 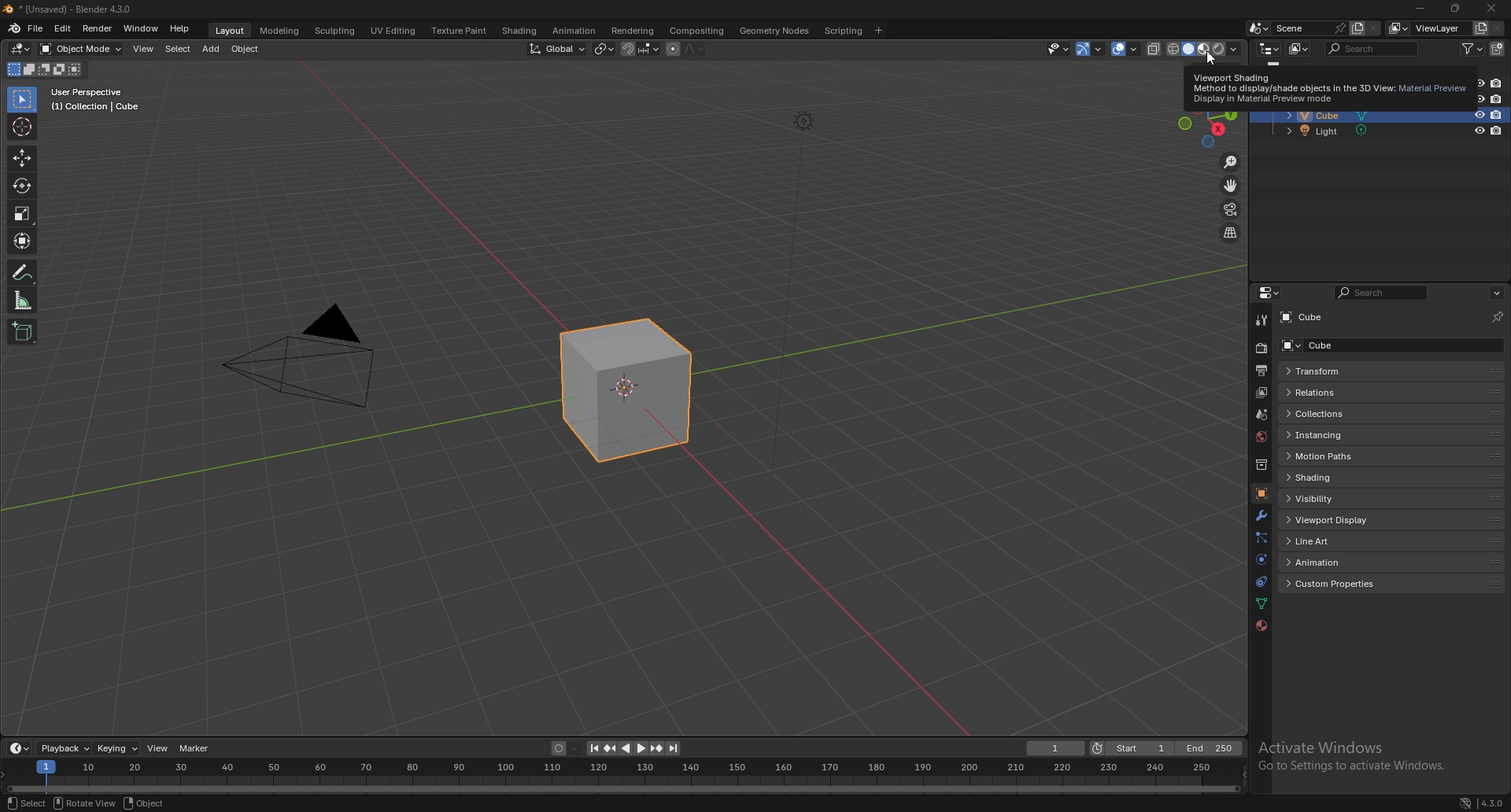 What do you see at coordinates (1376, 28) in the screenshot?
I see `remove scene` at bounding box center [1376, 28].